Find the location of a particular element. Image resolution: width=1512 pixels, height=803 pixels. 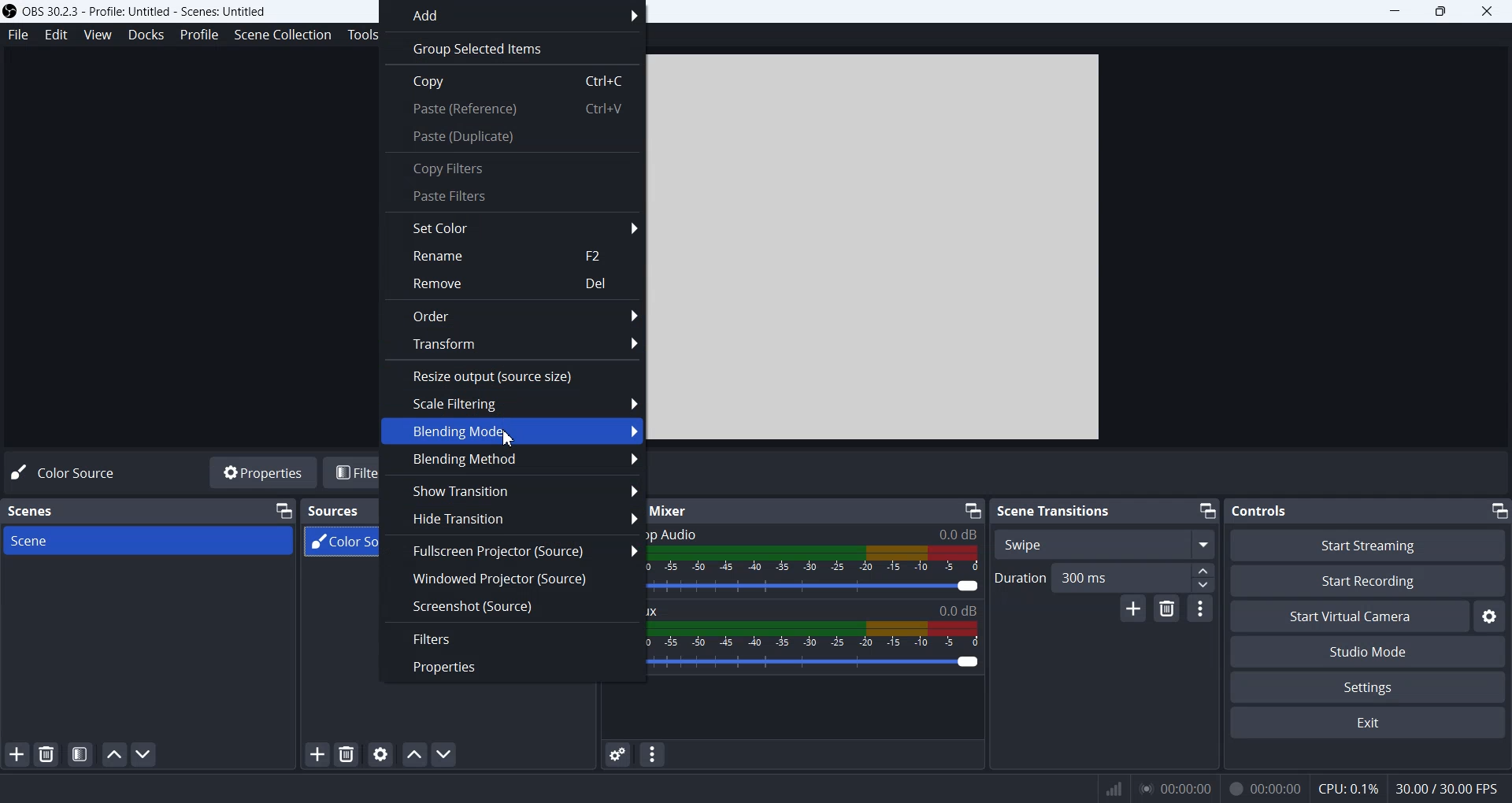

Add Source is located at coordinates (317, 756).